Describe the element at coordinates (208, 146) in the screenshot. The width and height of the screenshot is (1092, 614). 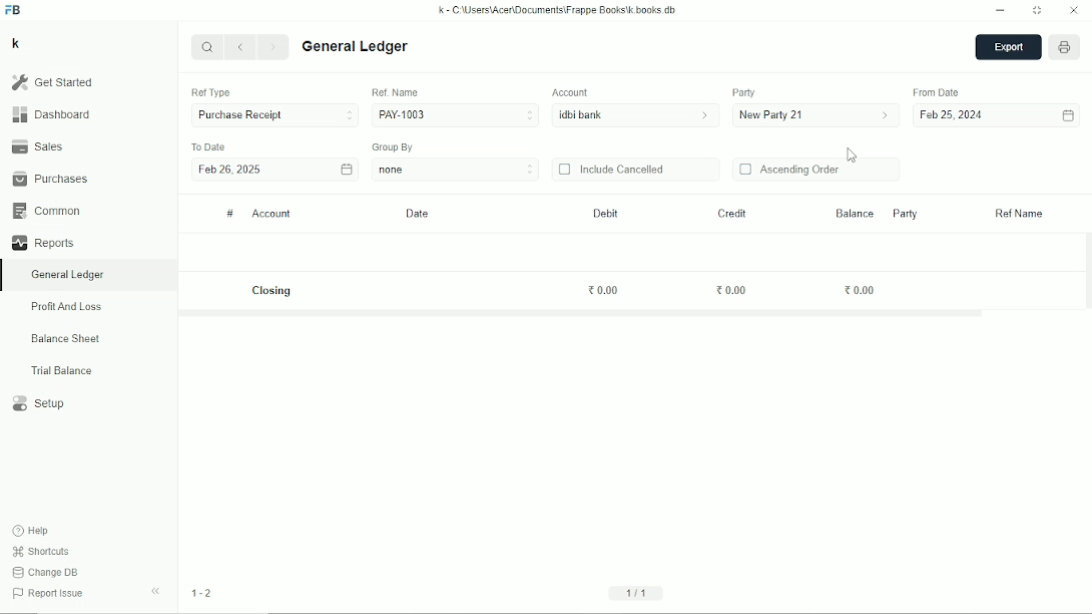
I see `To date` at that location.